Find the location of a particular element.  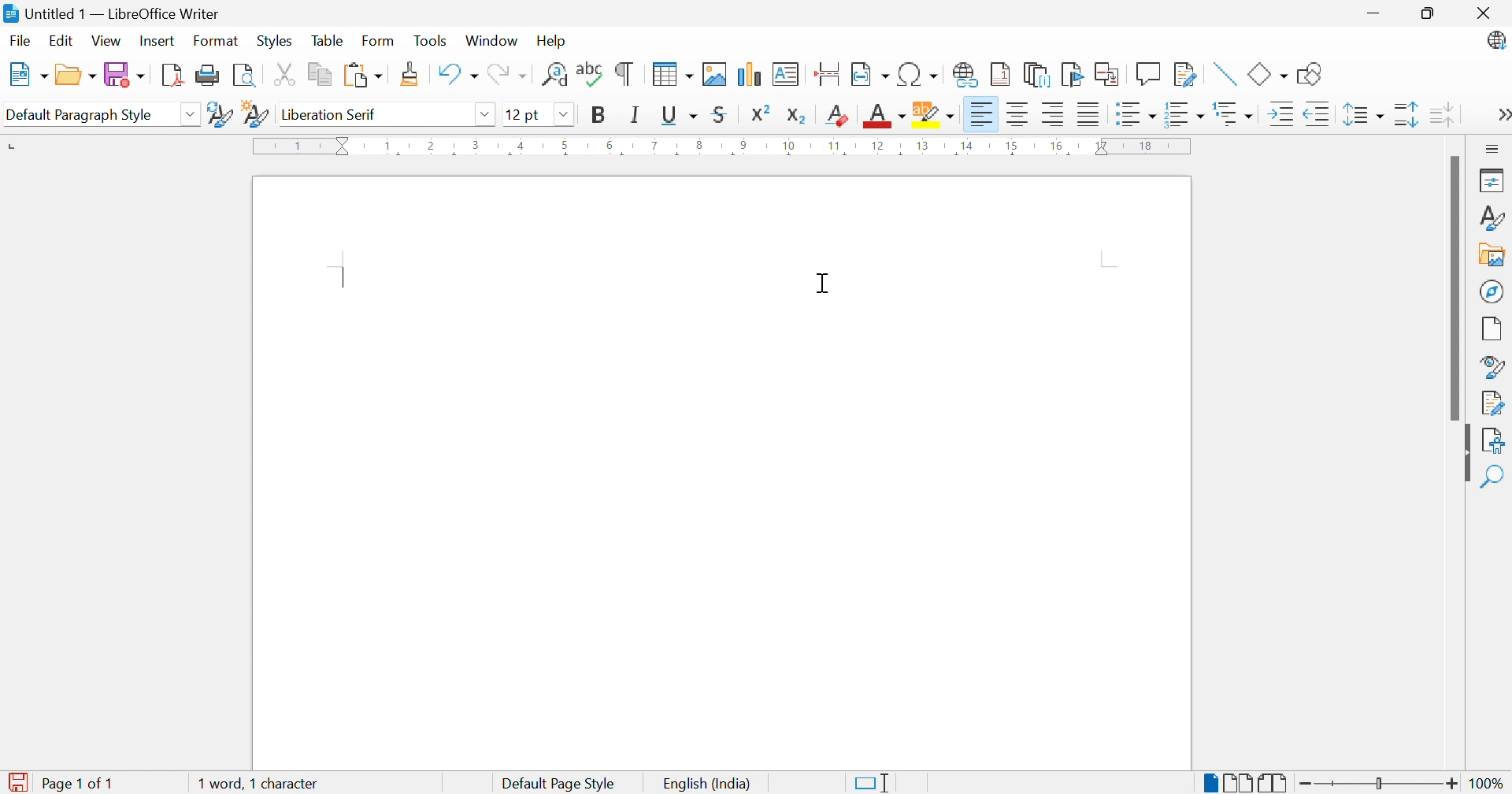

Character Highlighting Color is located at coordinates (935, 116).